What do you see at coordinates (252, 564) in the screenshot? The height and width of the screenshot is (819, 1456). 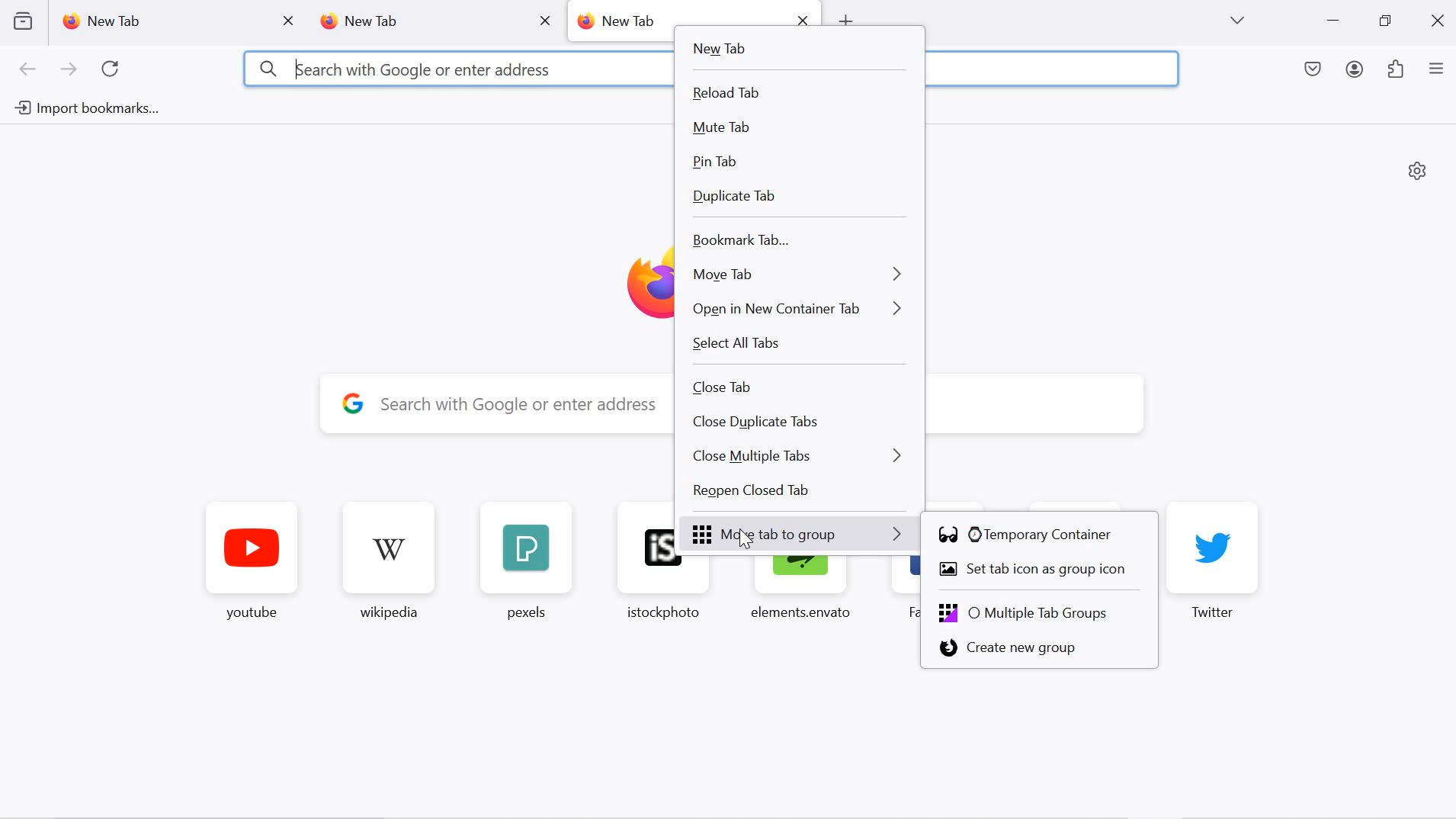 I see `youtube favorite` at bounding box center [252, 564].